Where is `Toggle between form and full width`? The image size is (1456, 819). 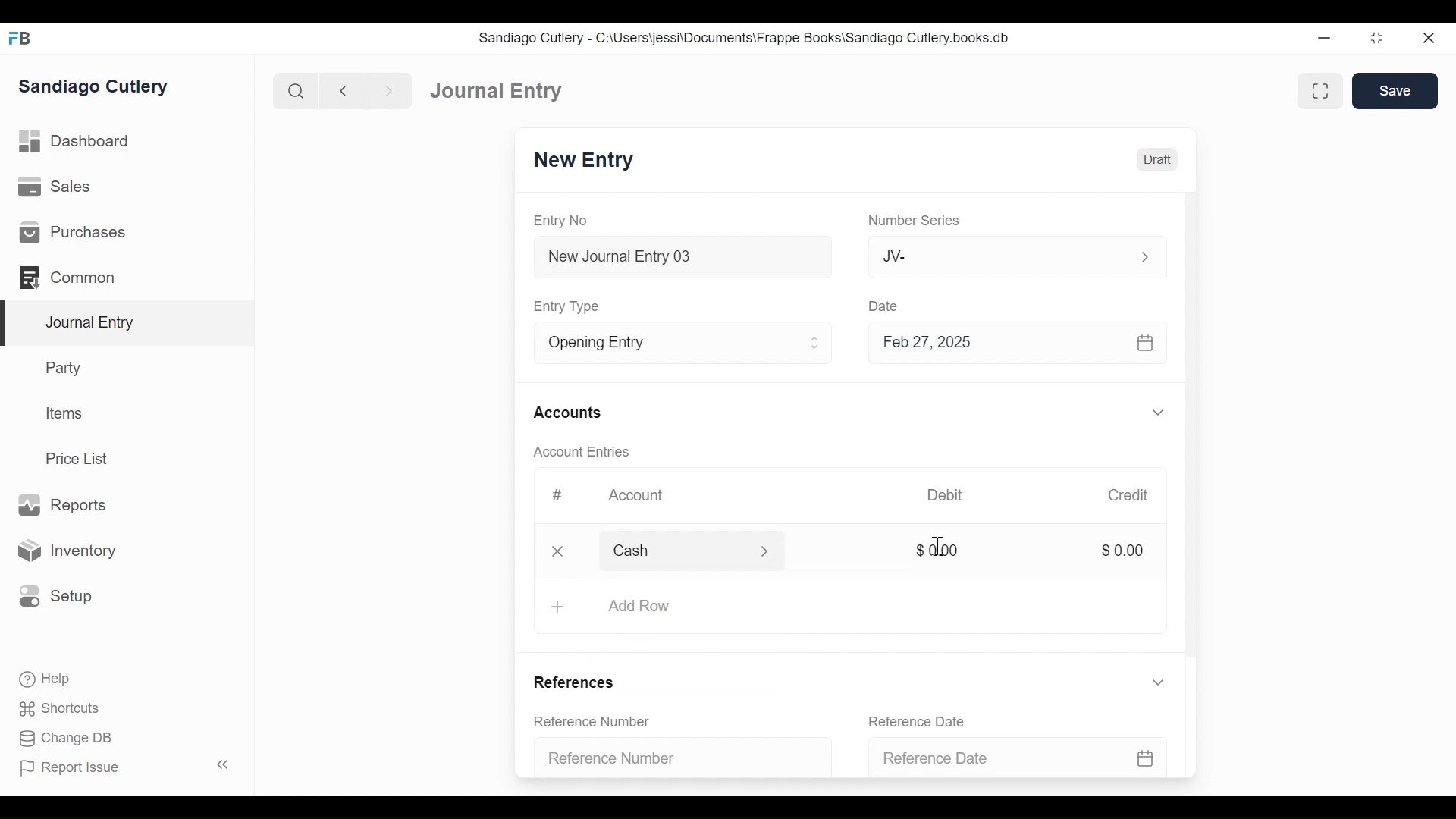
Toggle between form and full width is located at coordinates (1320, 90).